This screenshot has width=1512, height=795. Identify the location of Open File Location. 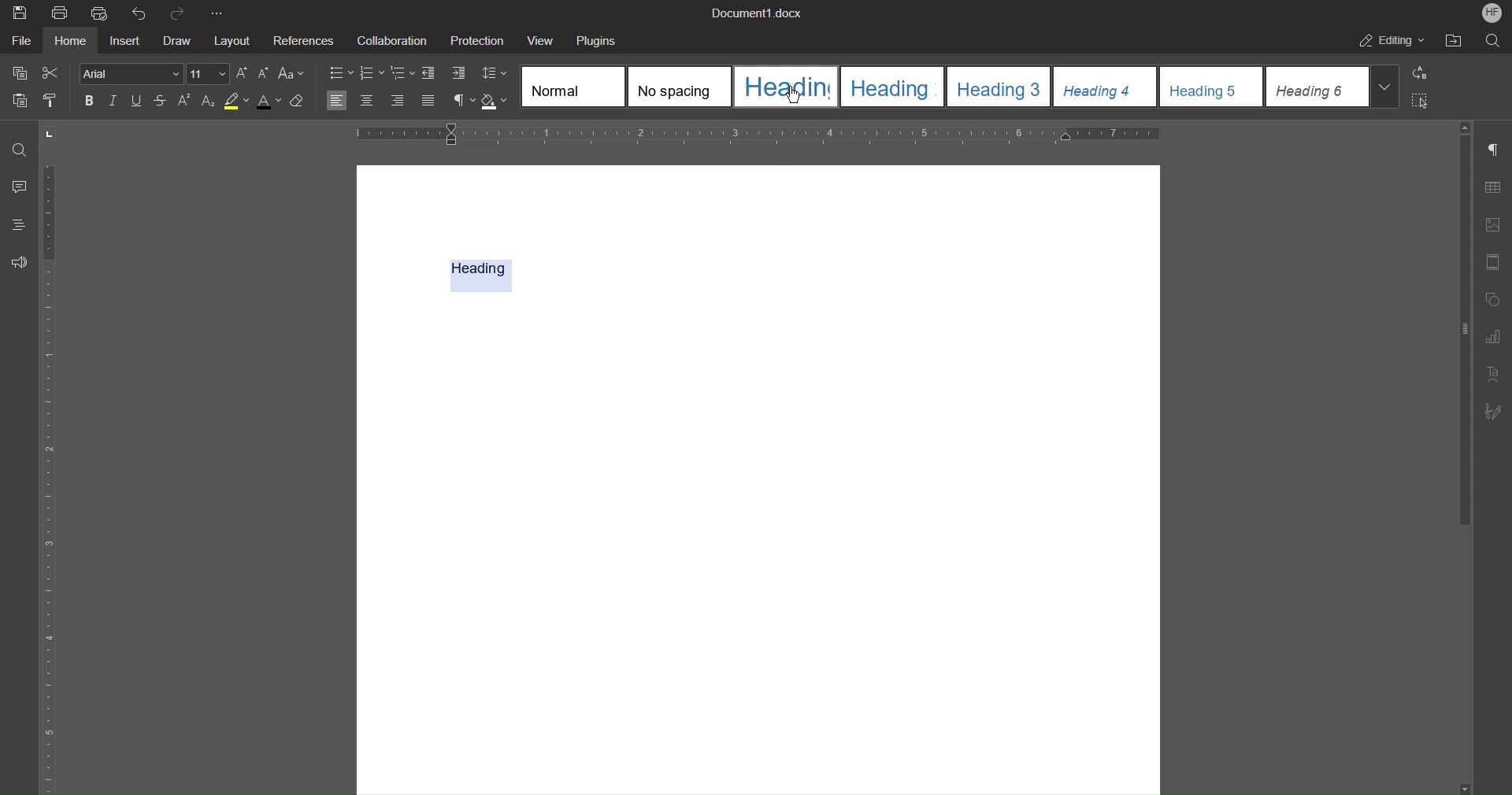
(1456, 39).